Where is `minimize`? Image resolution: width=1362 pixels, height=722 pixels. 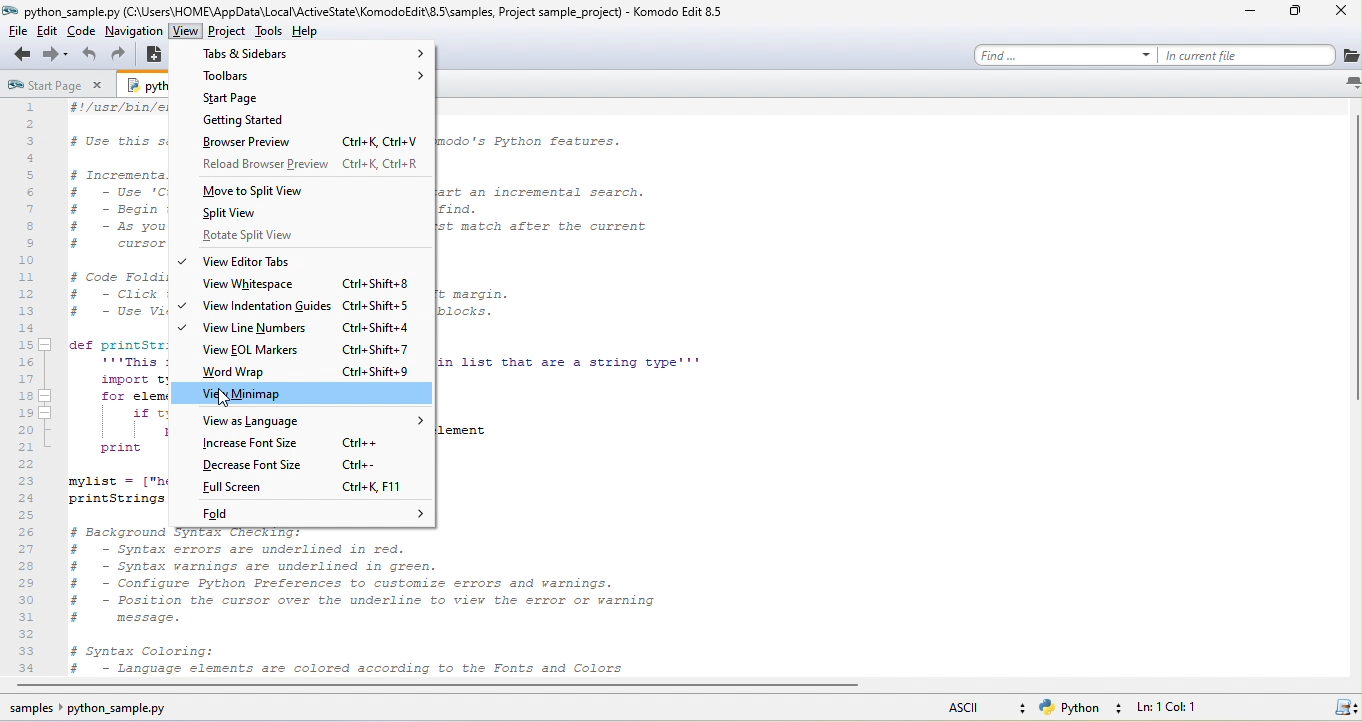 minimize is located at coordinates (1246, 13).